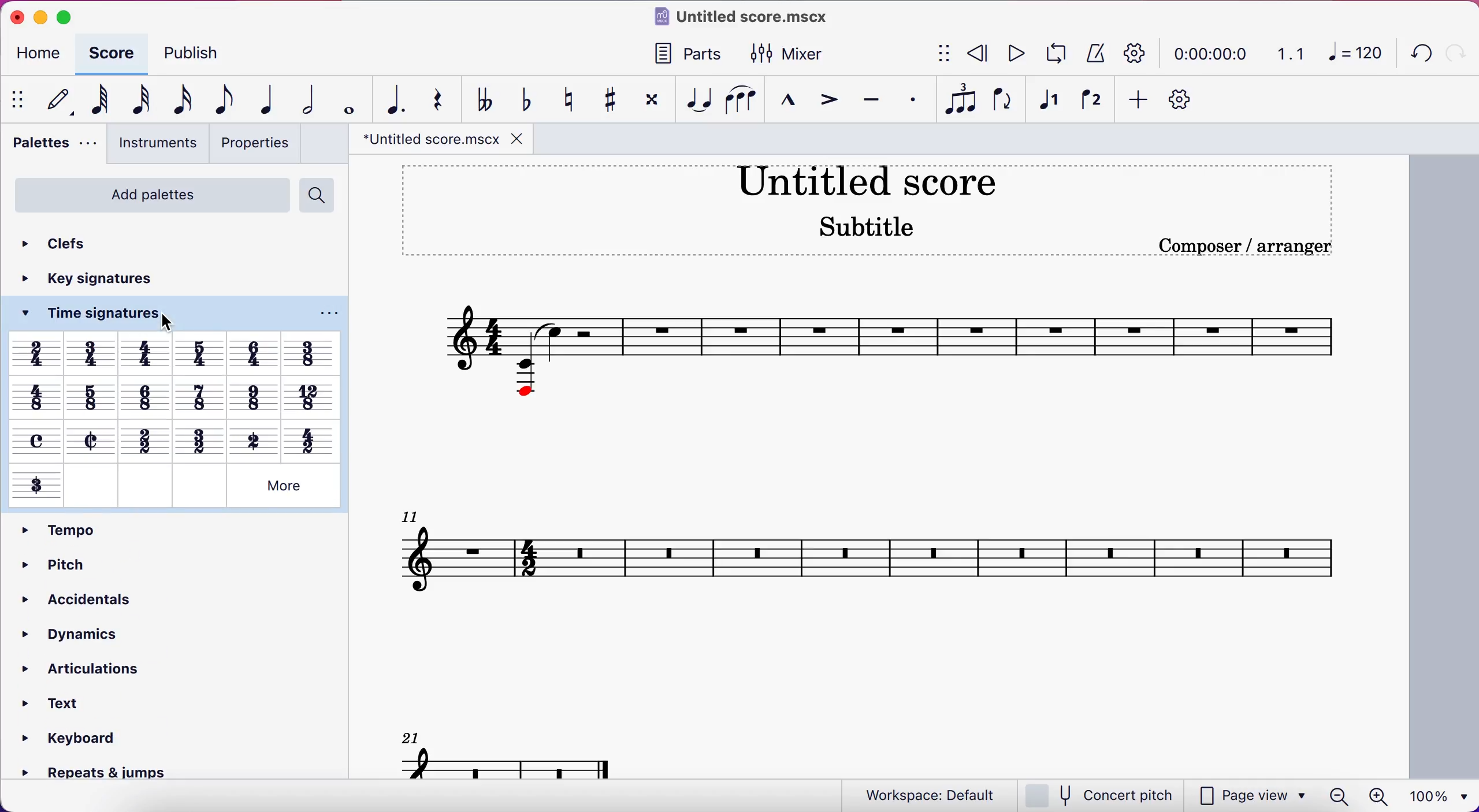  I want to click on properties, so click(252, 145).